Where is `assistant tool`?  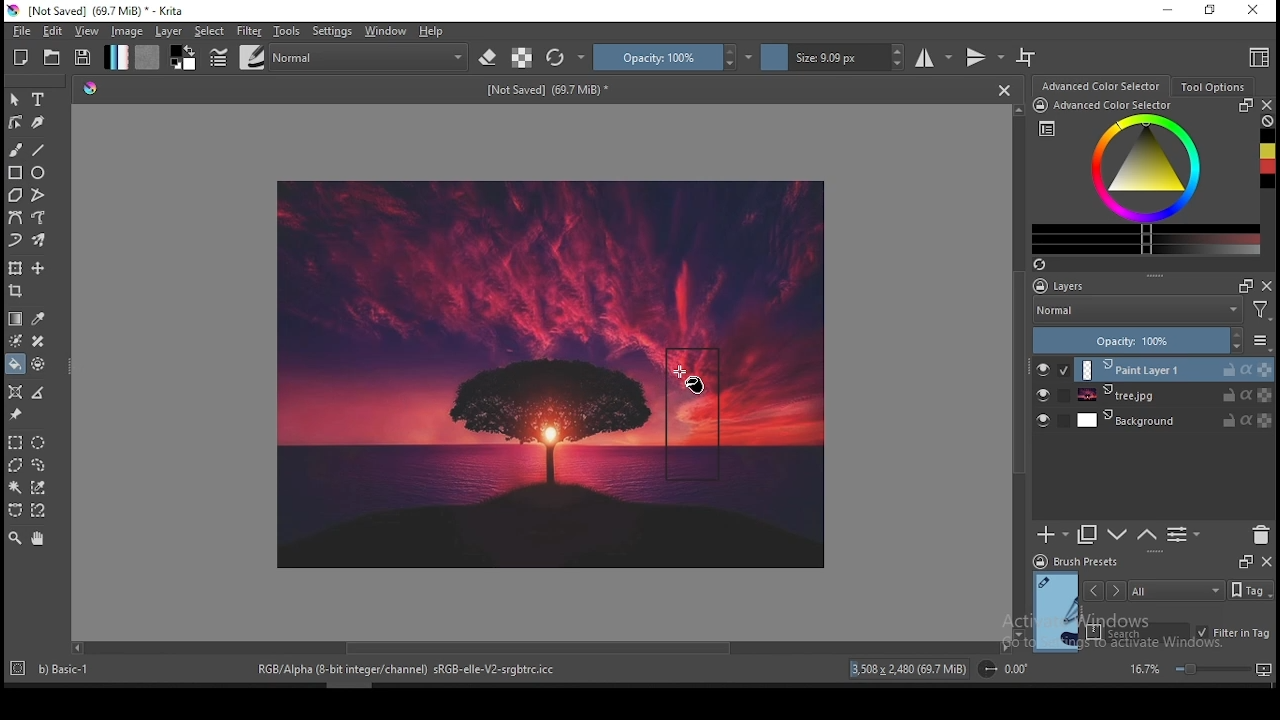
assistant tool is located at coordinates (16, 391).